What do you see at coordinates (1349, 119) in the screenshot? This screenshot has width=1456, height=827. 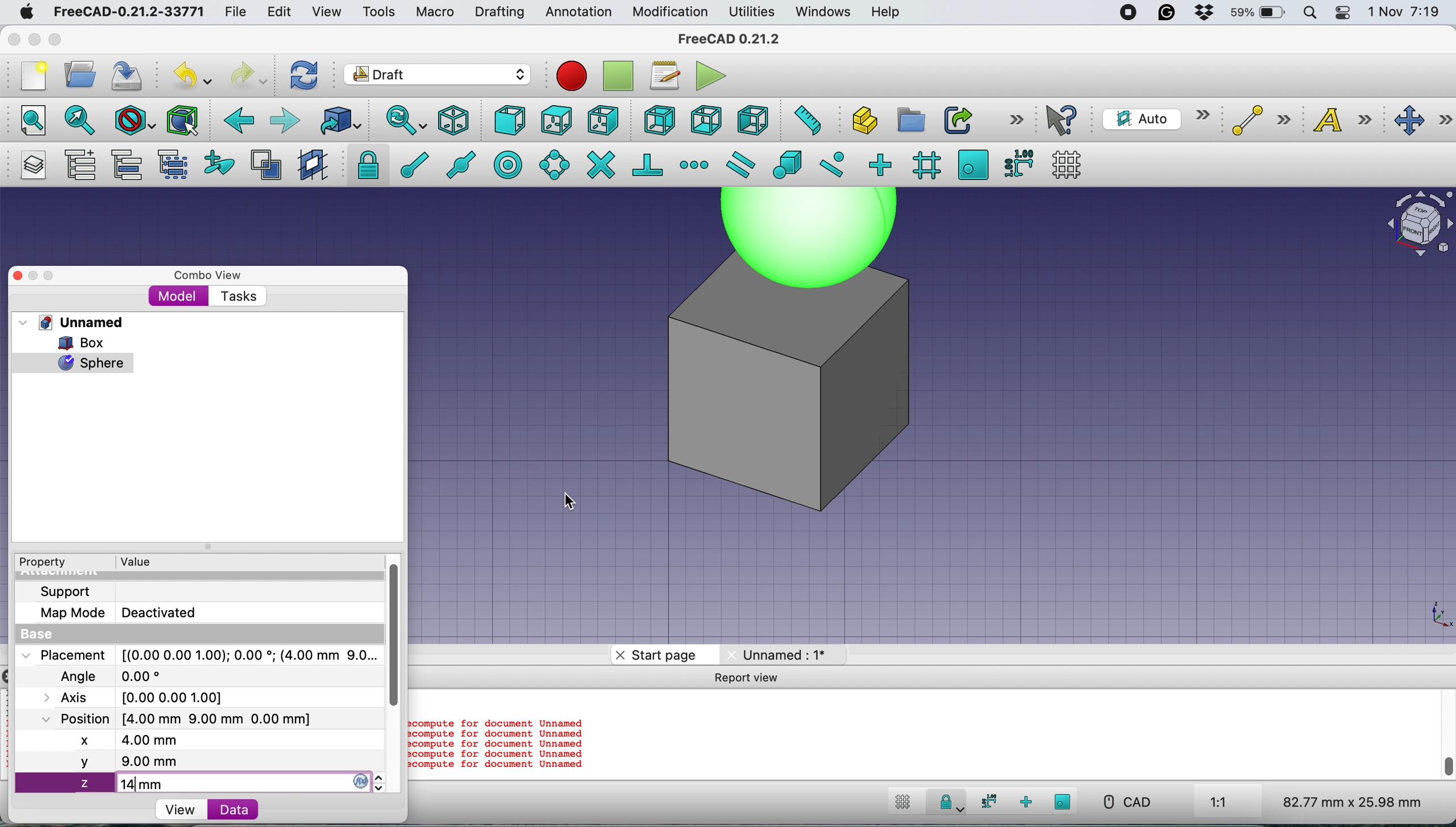 I see `text` at bounding box center [1349, 119].